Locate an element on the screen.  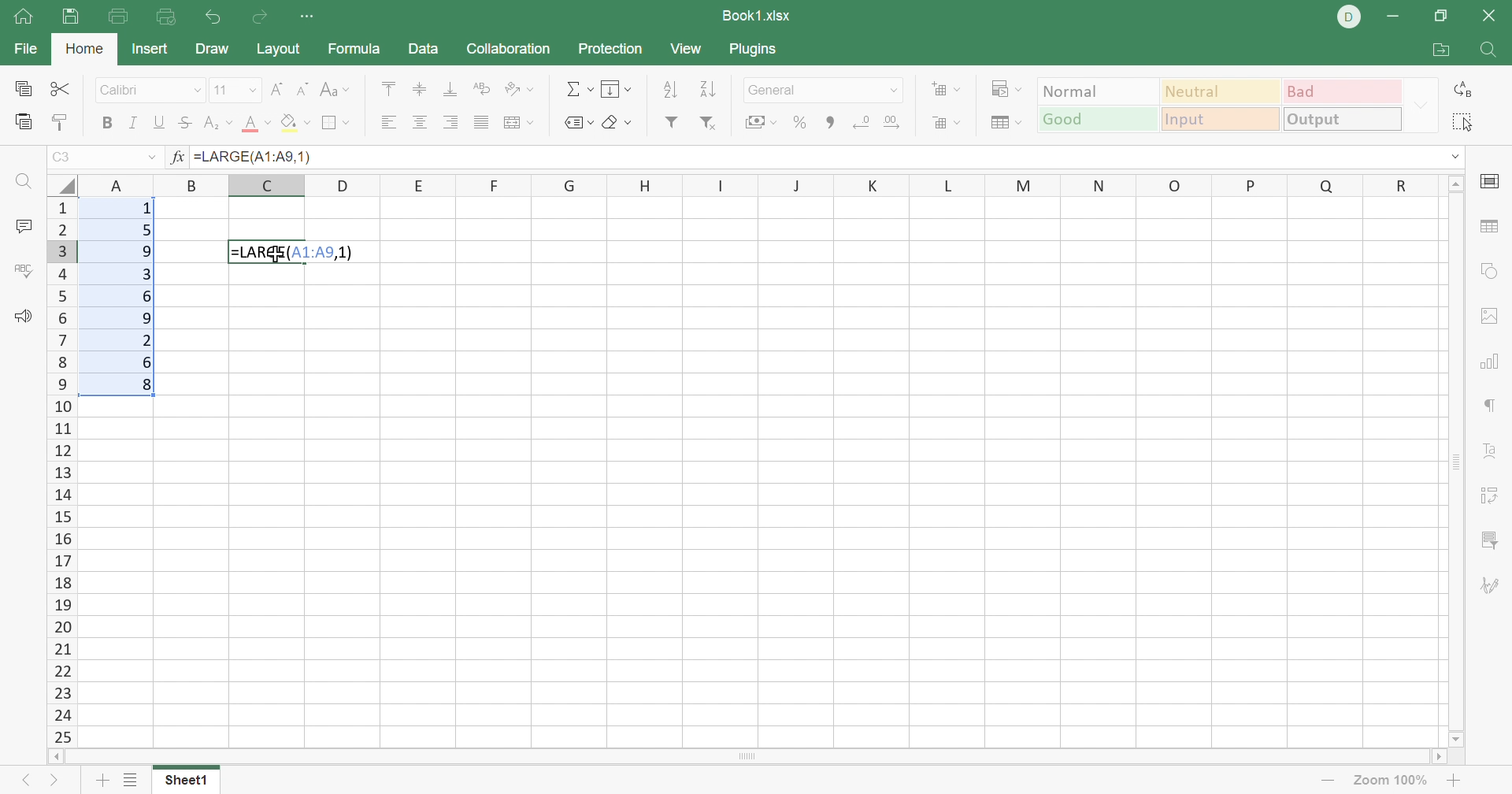
Increase decimal is located at coordinates (899, 123).